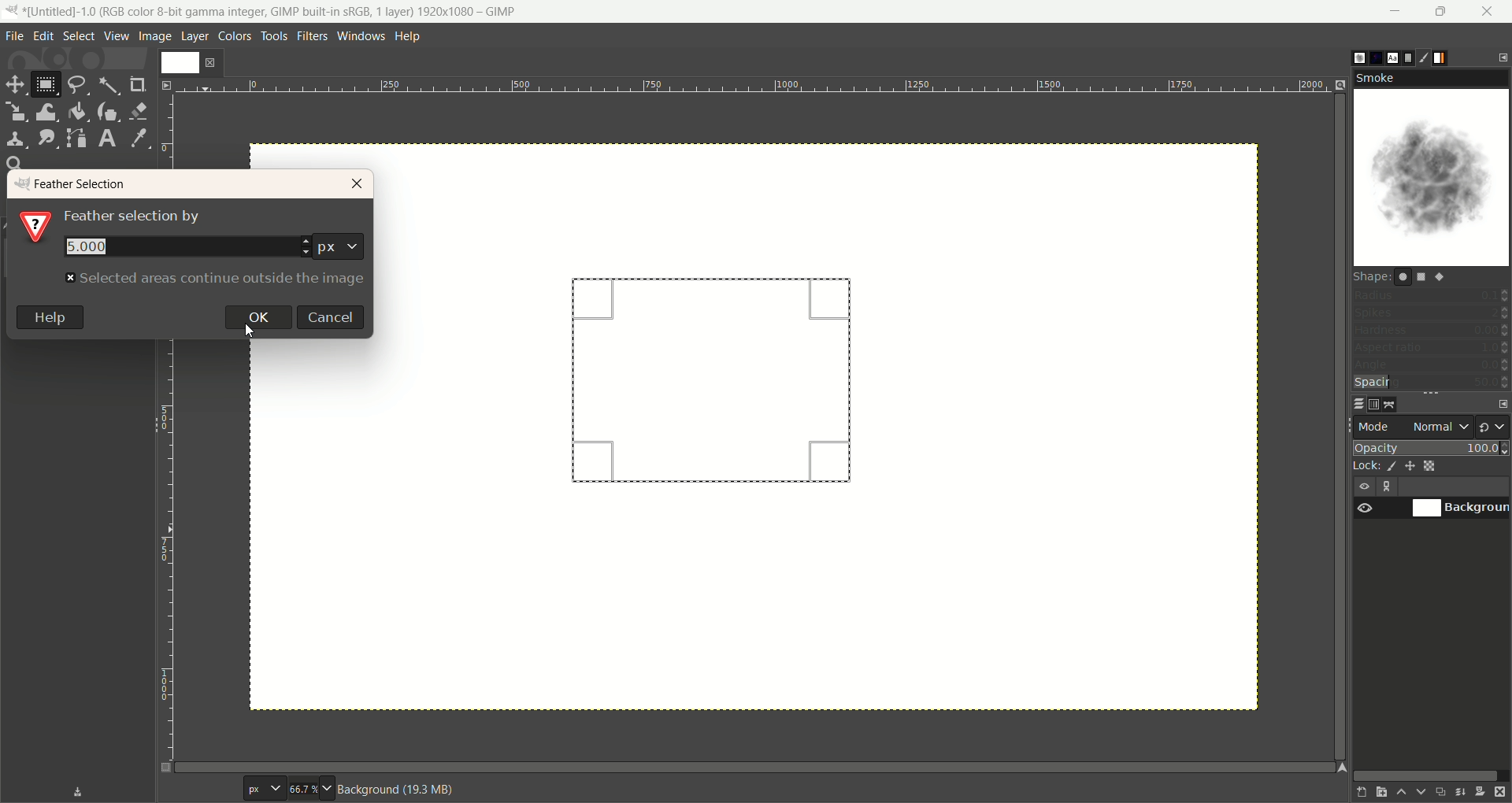 The image size is (1512, 803). I want to click on channel, so click(1377, 405).